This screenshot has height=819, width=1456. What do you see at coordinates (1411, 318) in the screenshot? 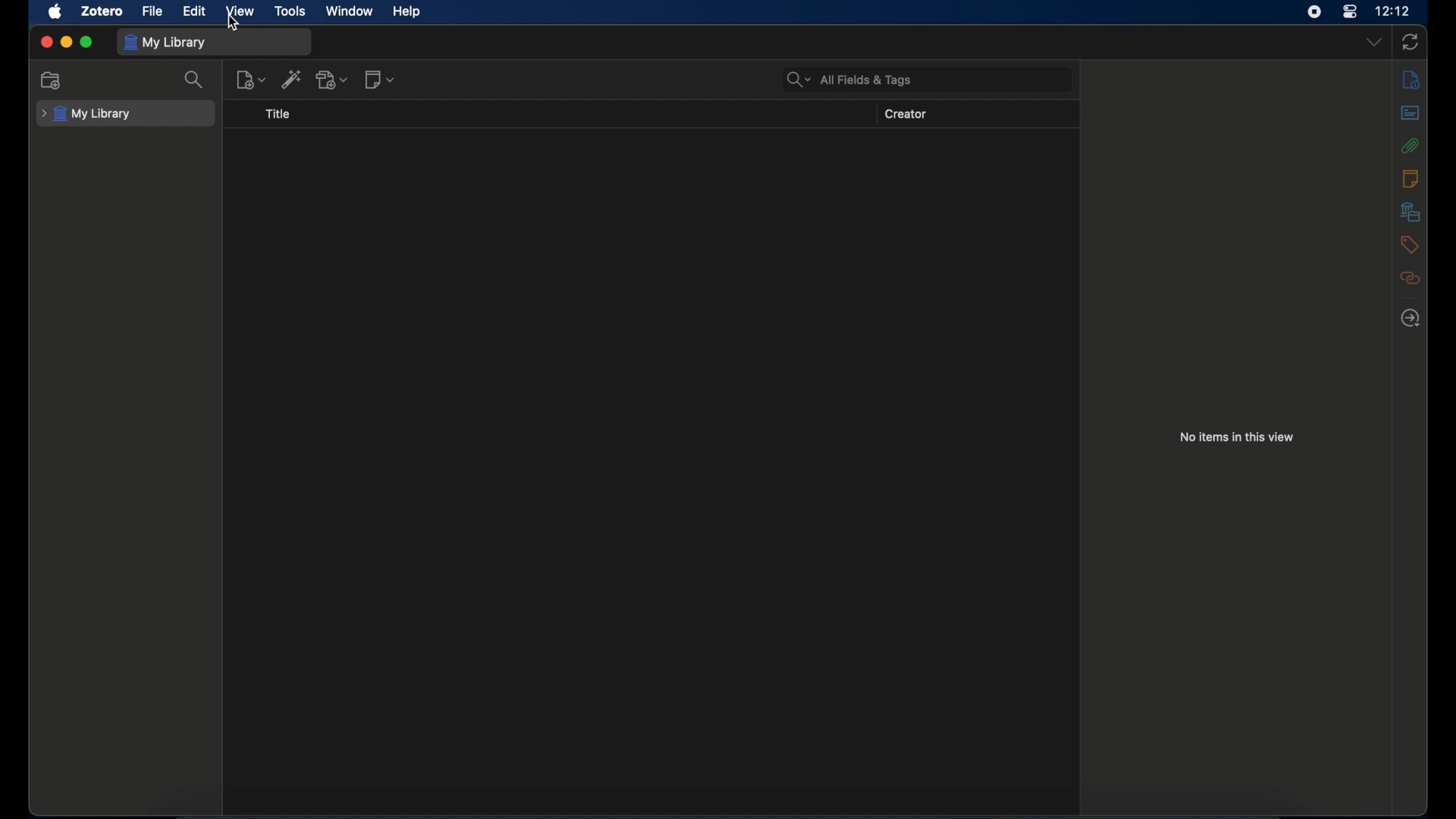
I see `locate` at bounding box center [1411, 318].